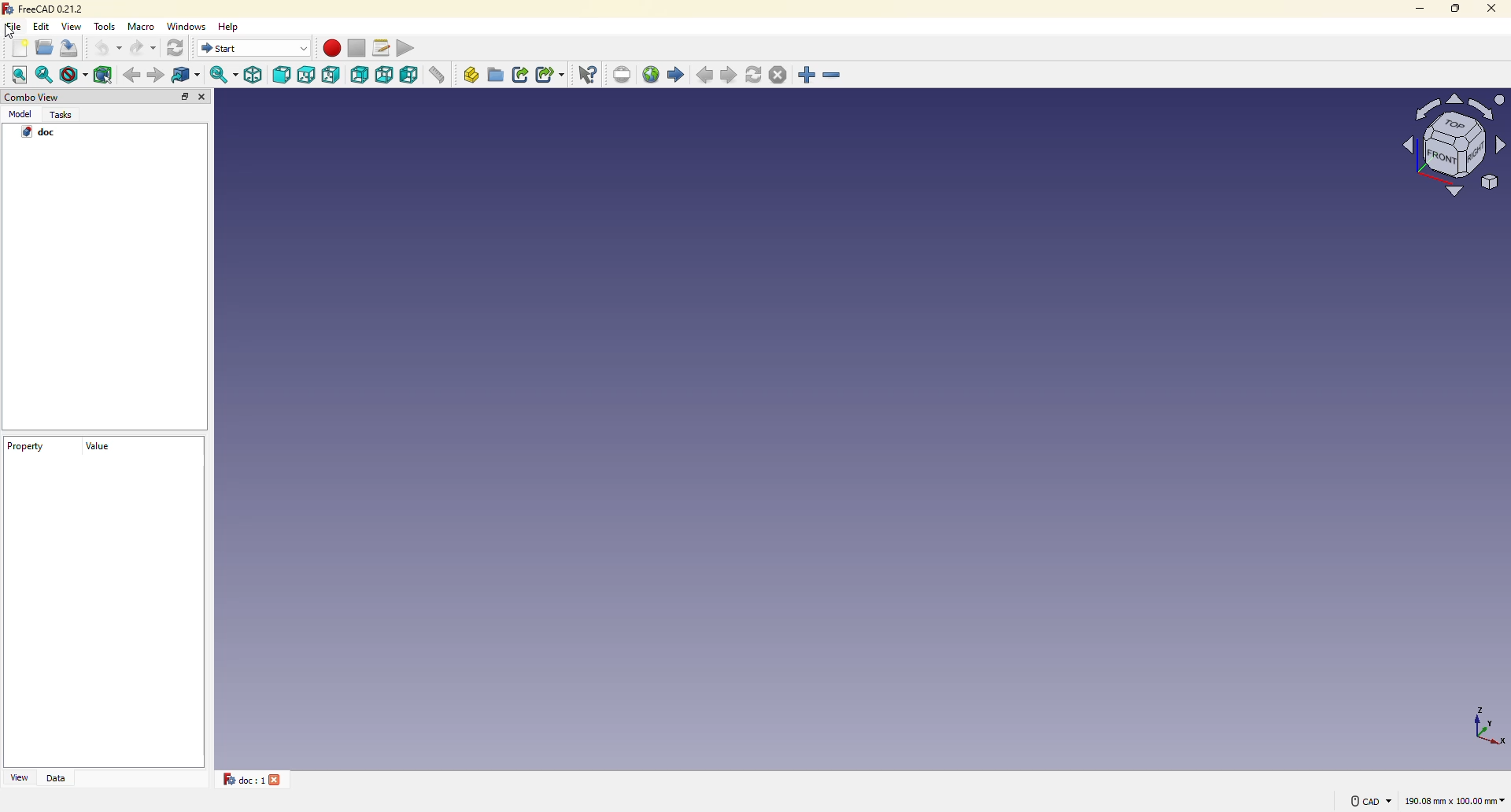 The width and height of the screenshot is (1511, 812). Describe the element at coordinates (1413, 8) in the screenshot. I see `minimize` at that location.